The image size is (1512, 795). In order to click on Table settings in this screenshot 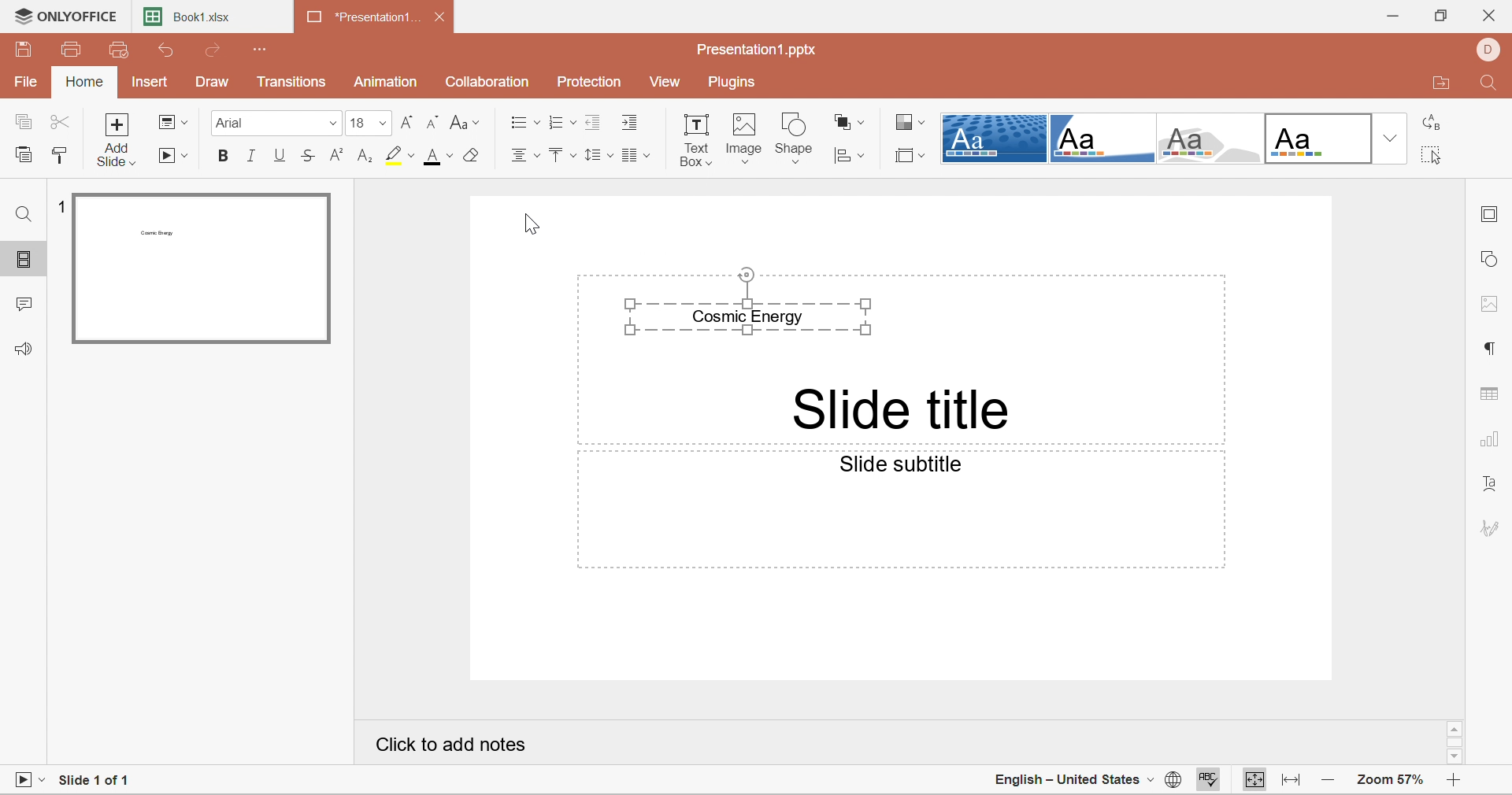, I will do `click(1492, 394)`.